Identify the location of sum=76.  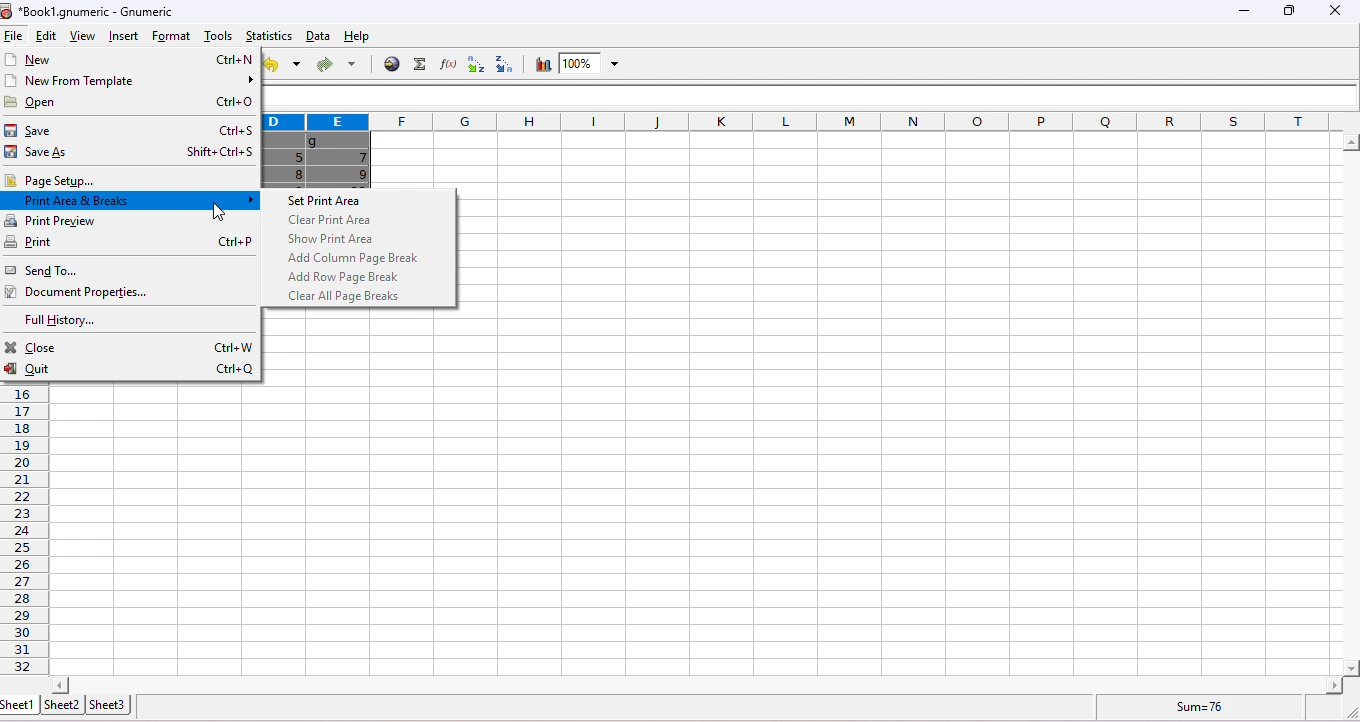
(1204, 706).